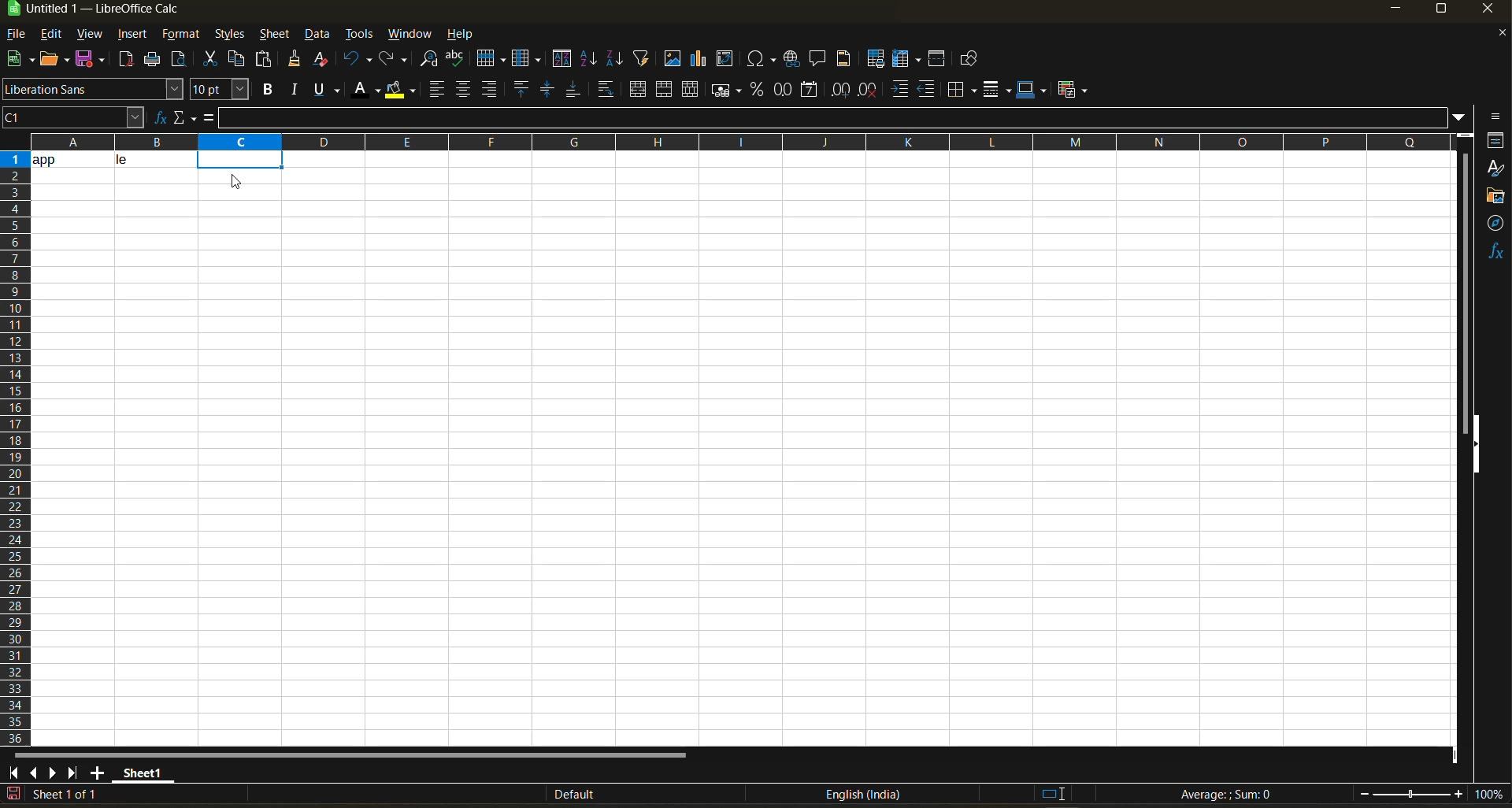 The width and height of the screenshot is (1512, 808). What do you see at coordinates (349, 755) in the screenshot?
I see `horizontal scroll bar` at bounding box center [349, 755].